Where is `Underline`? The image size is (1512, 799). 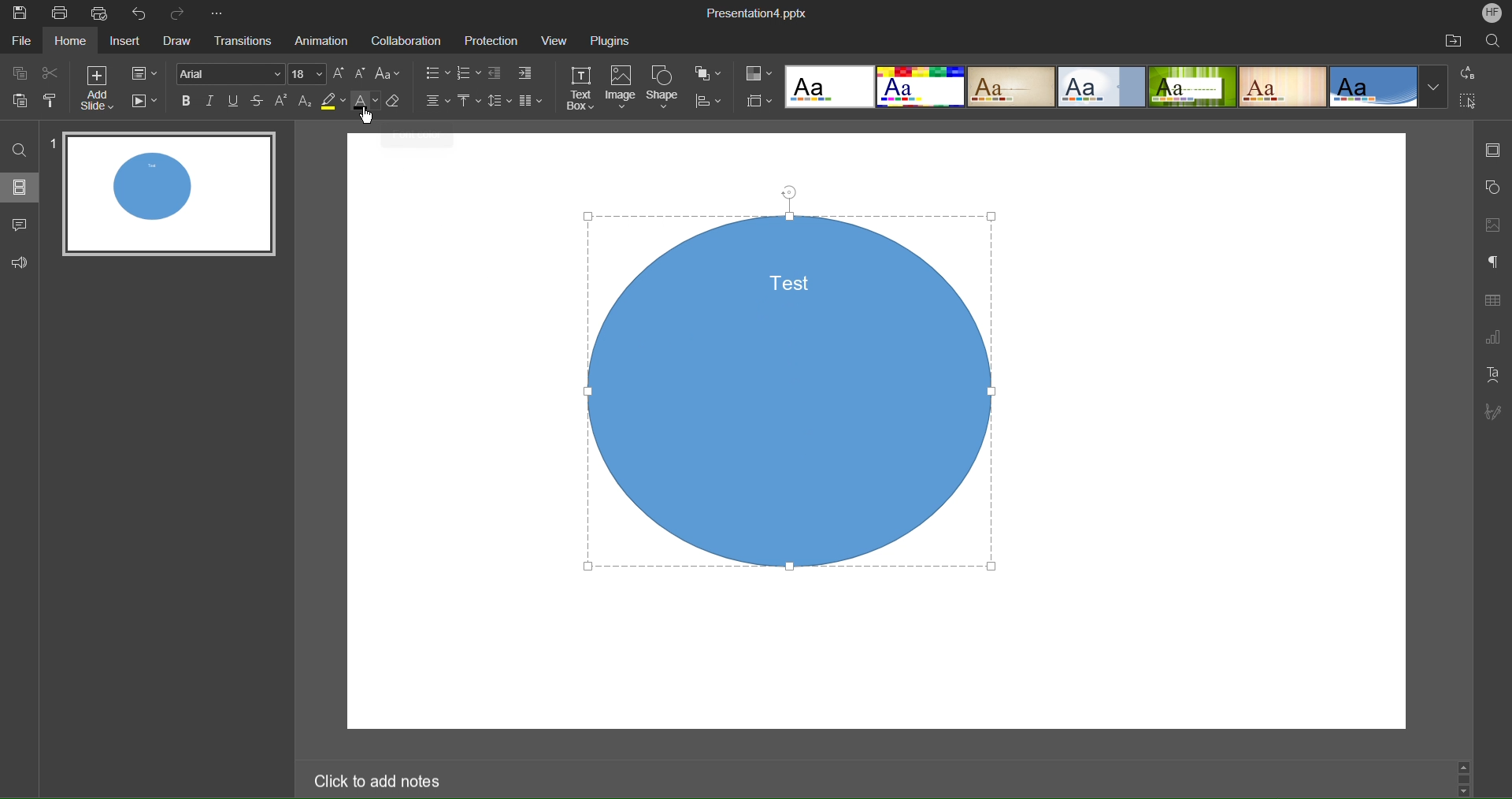
Underline is located at coordinates (236, 103).